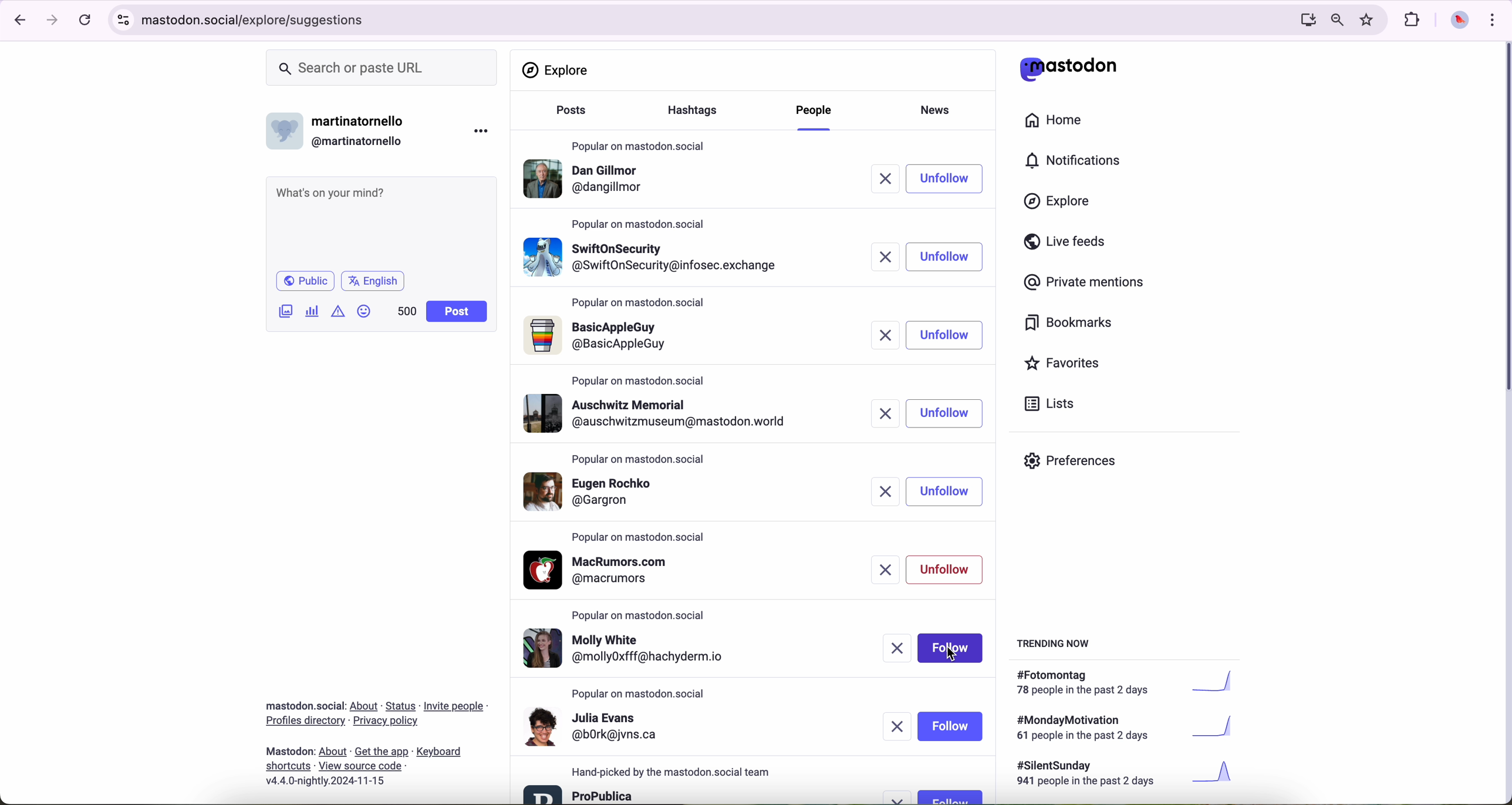 This screenshot has width=1512, height=805. I want to click on URL, so click(258, 18).